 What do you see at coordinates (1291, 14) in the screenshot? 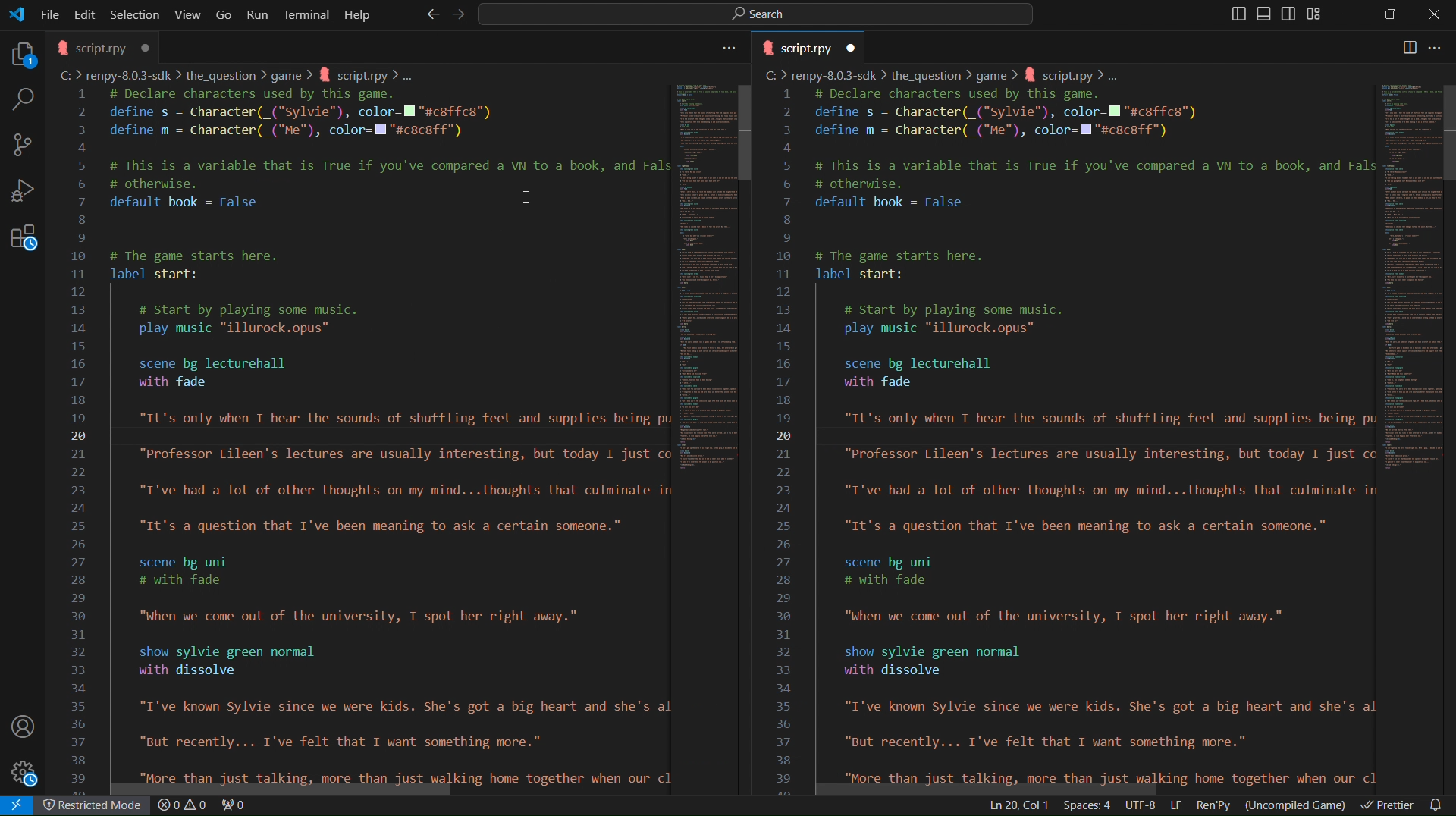
I see `Toggle Secondary Sidebar` at bounding box center [1291, 14].